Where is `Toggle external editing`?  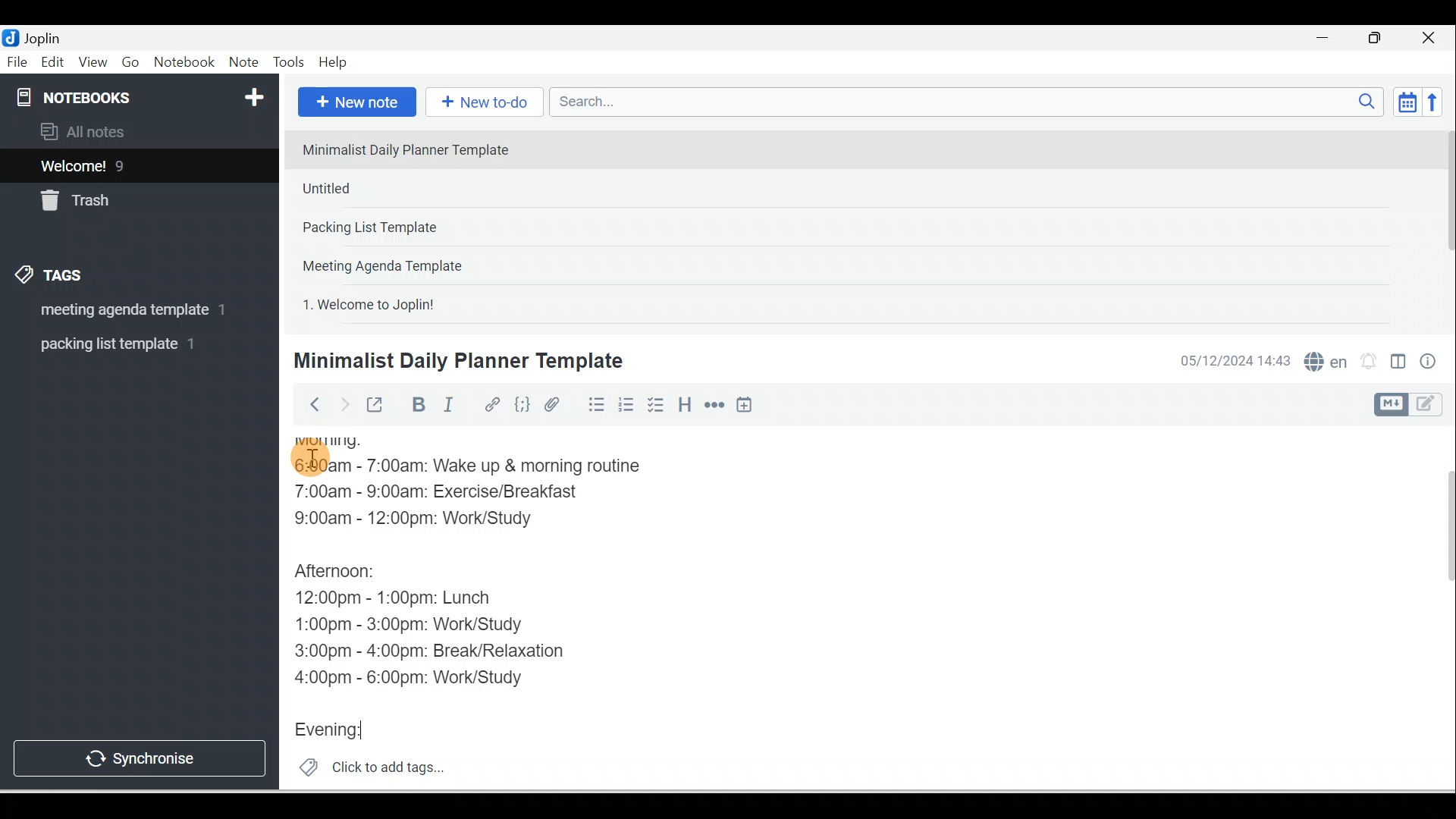
Toggle external editing is located at coordinates (377, 408).